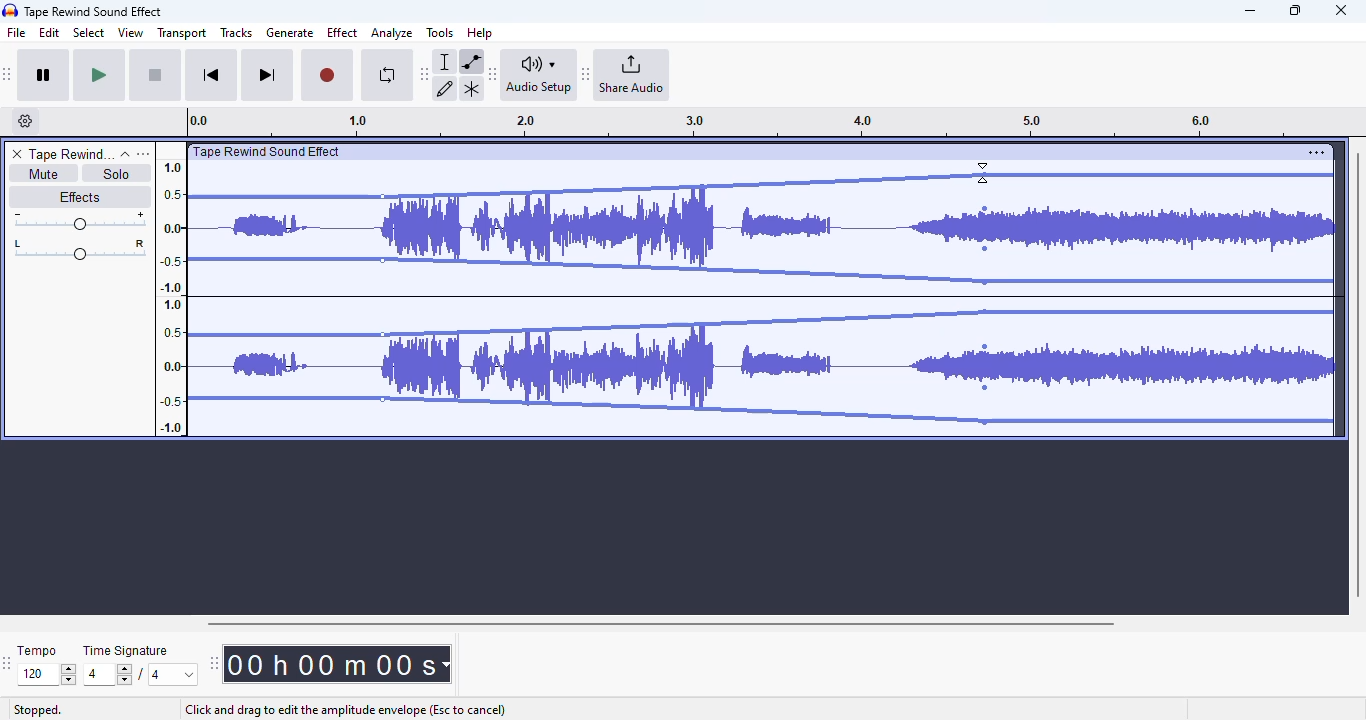 This screenshot has height=720, width=1366. Describe the element at coordinates (1147, 290) in the screenshot. I see `volume increased` at that location.